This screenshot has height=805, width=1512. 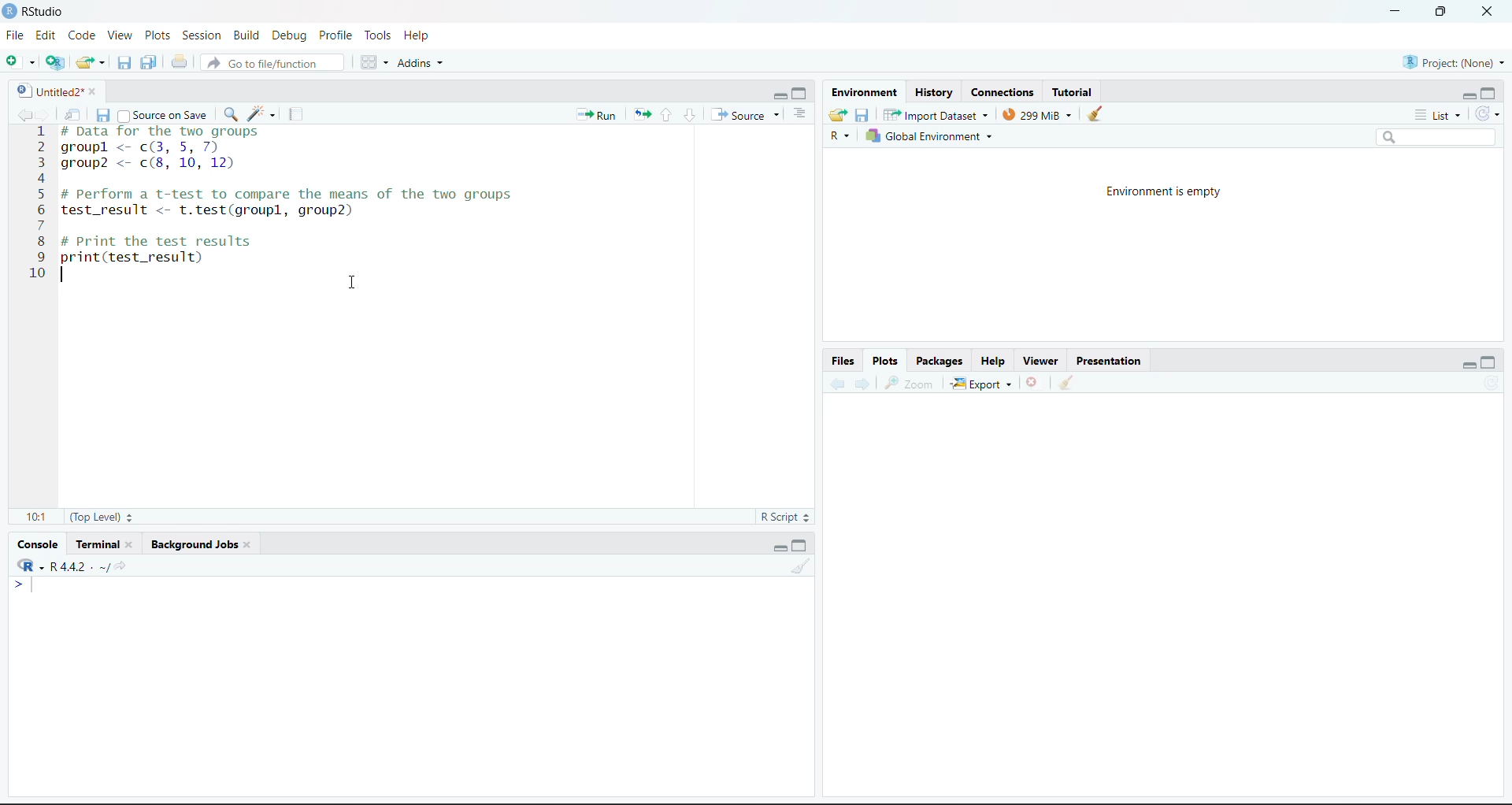 I want to click on close, so click(x=1488, y=11).